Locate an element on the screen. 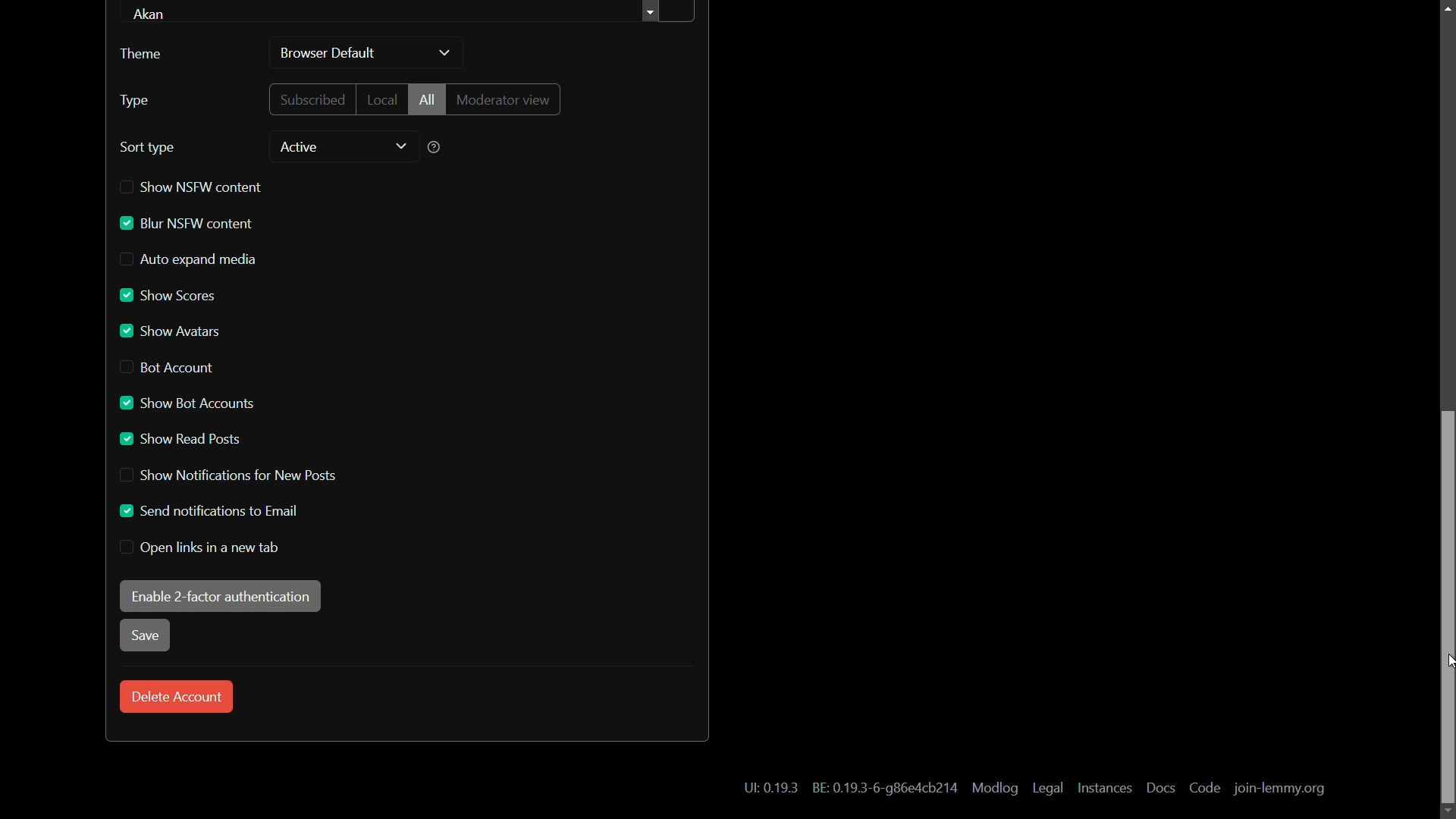 The height and width of the screenshot is (819, 1456). show notifications for new posts is located at coordinates (225, 476).